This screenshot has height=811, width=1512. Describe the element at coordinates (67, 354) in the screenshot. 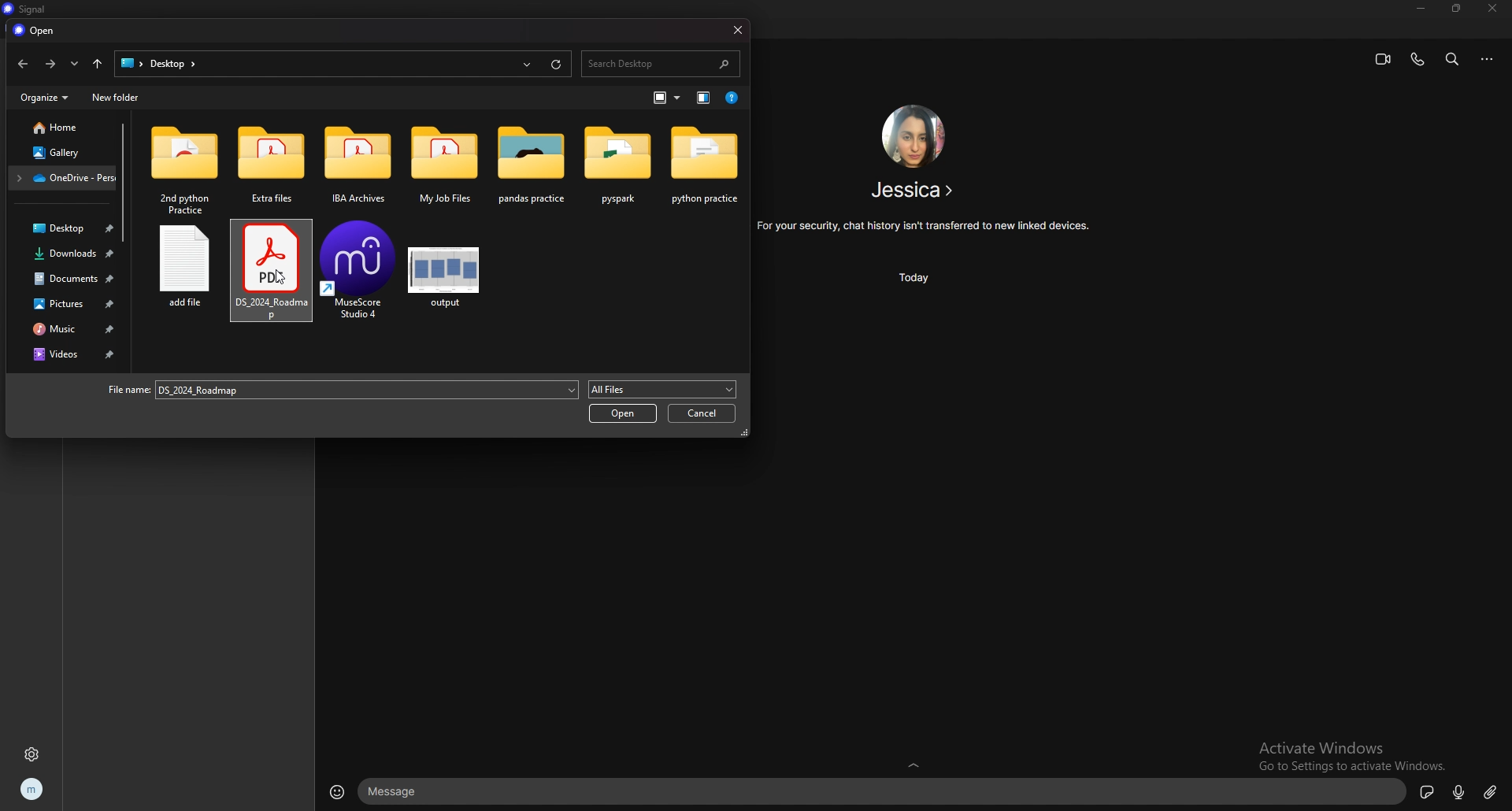

I see `videos` at that location.